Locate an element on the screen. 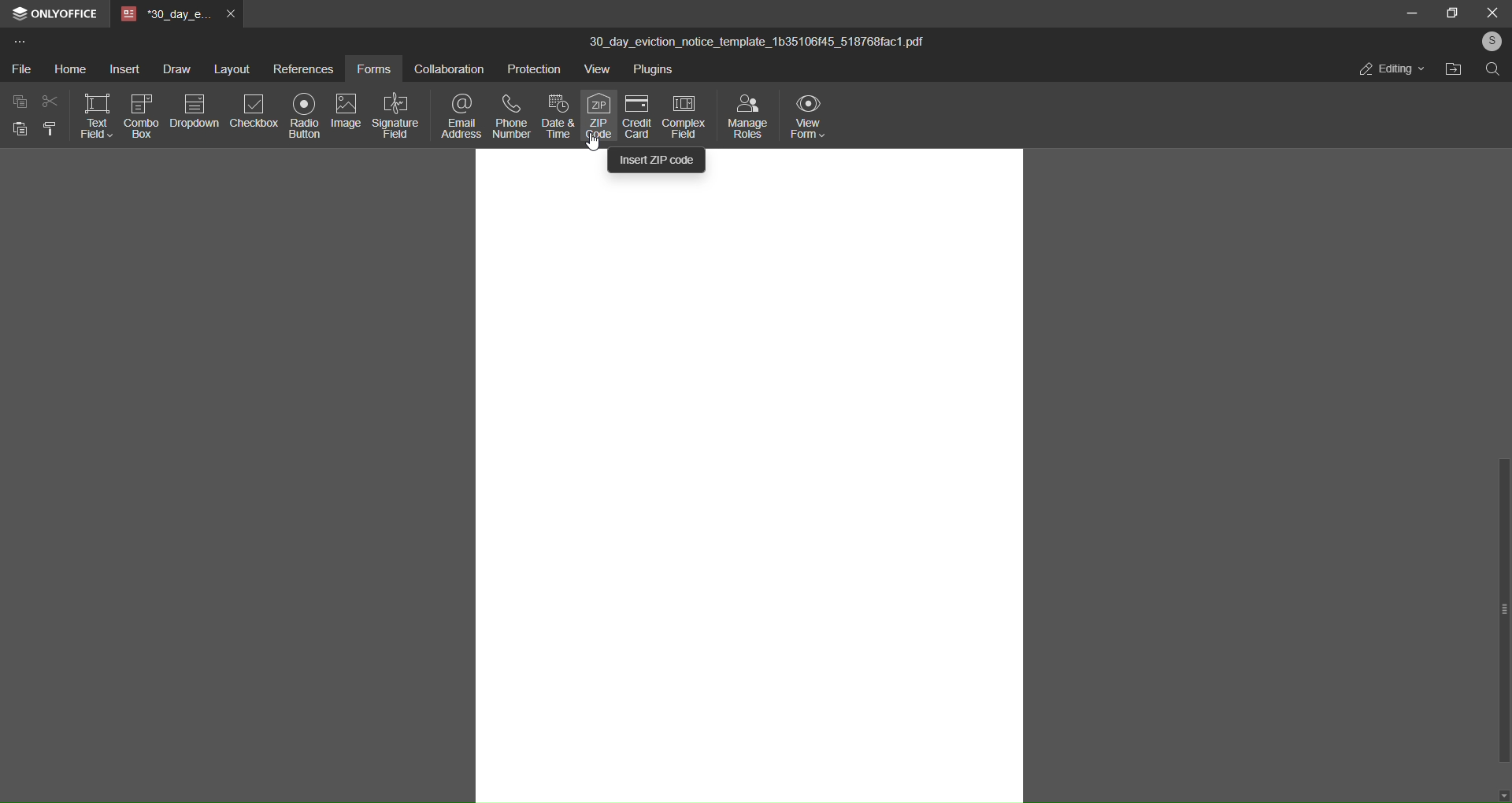 This screenshot has height=803, width=1512. maximize is located at coordinates (1452, 13).